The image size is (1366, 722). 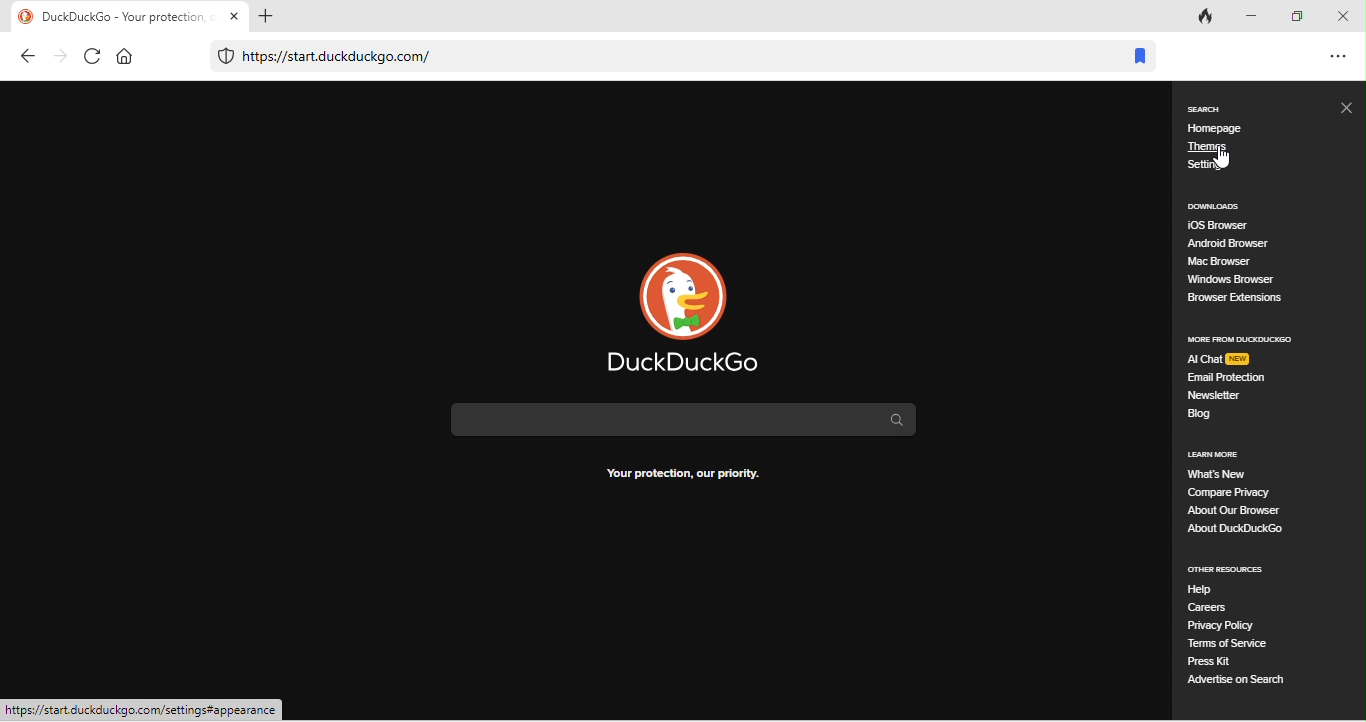 I want to click on about our browser, so click(x=1233, y=511).